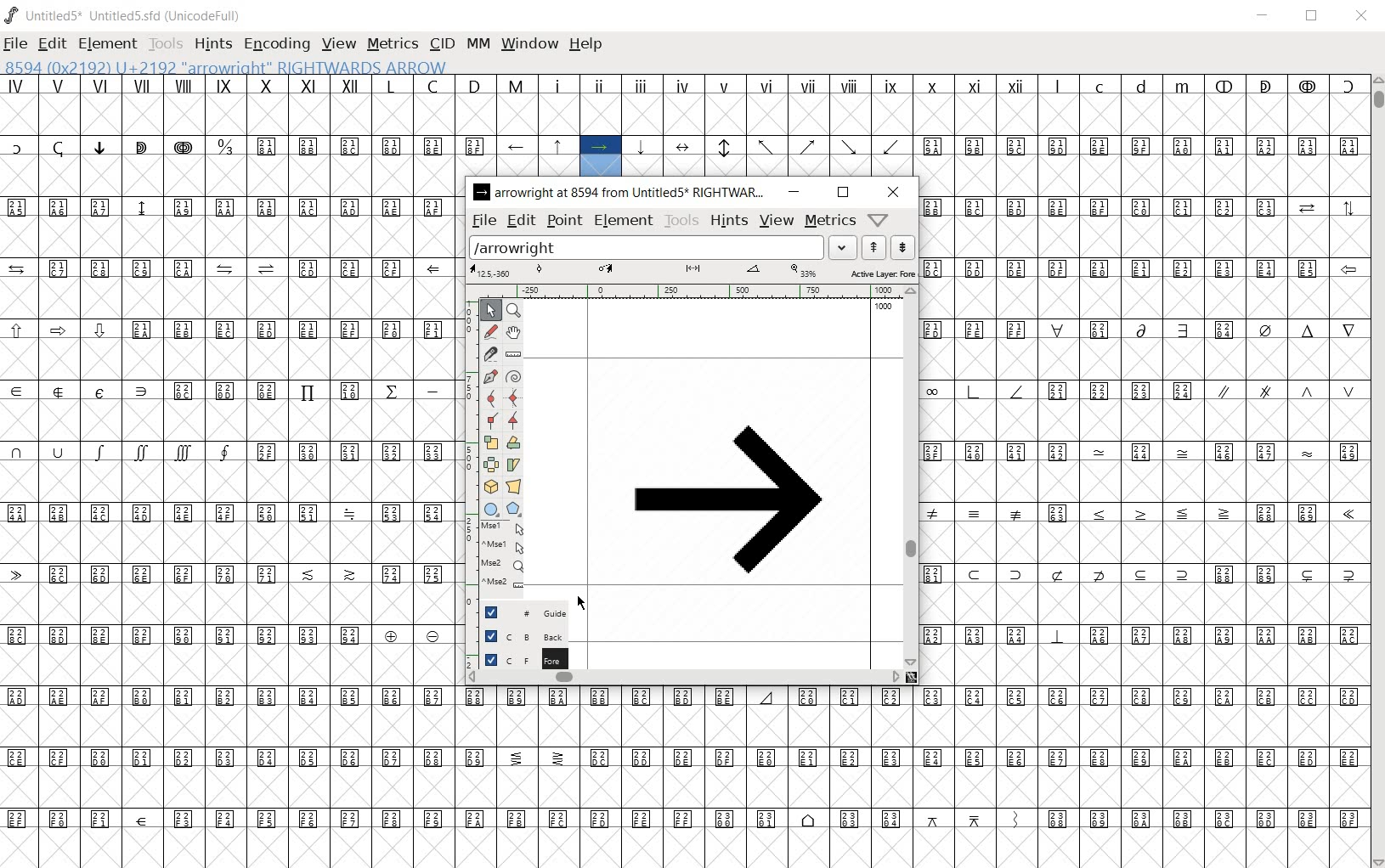  I want to click on point, so click(563, 222).